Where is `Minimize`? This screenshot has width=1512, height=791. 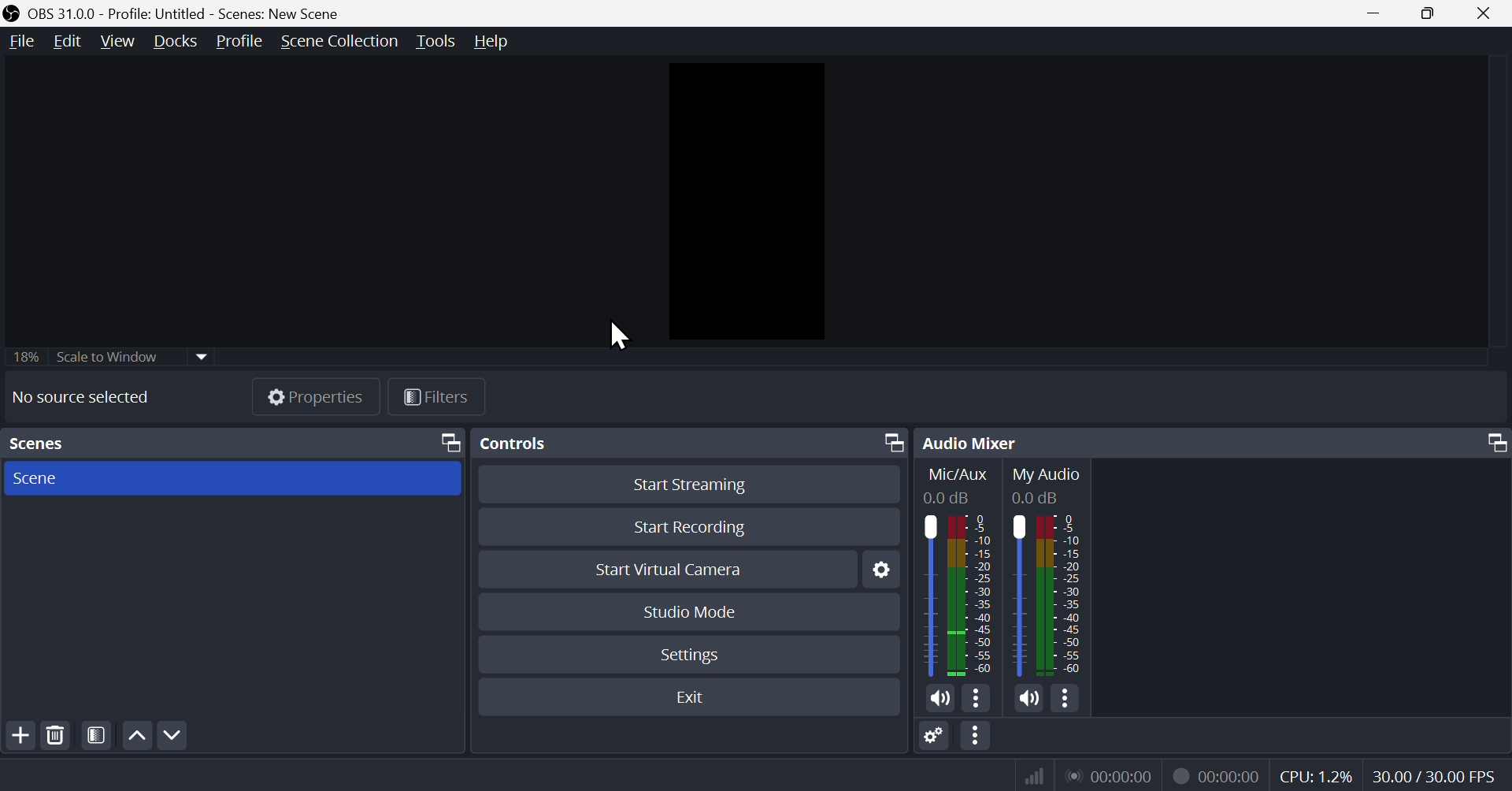 Minimize is located at coordinates (1373, 13).